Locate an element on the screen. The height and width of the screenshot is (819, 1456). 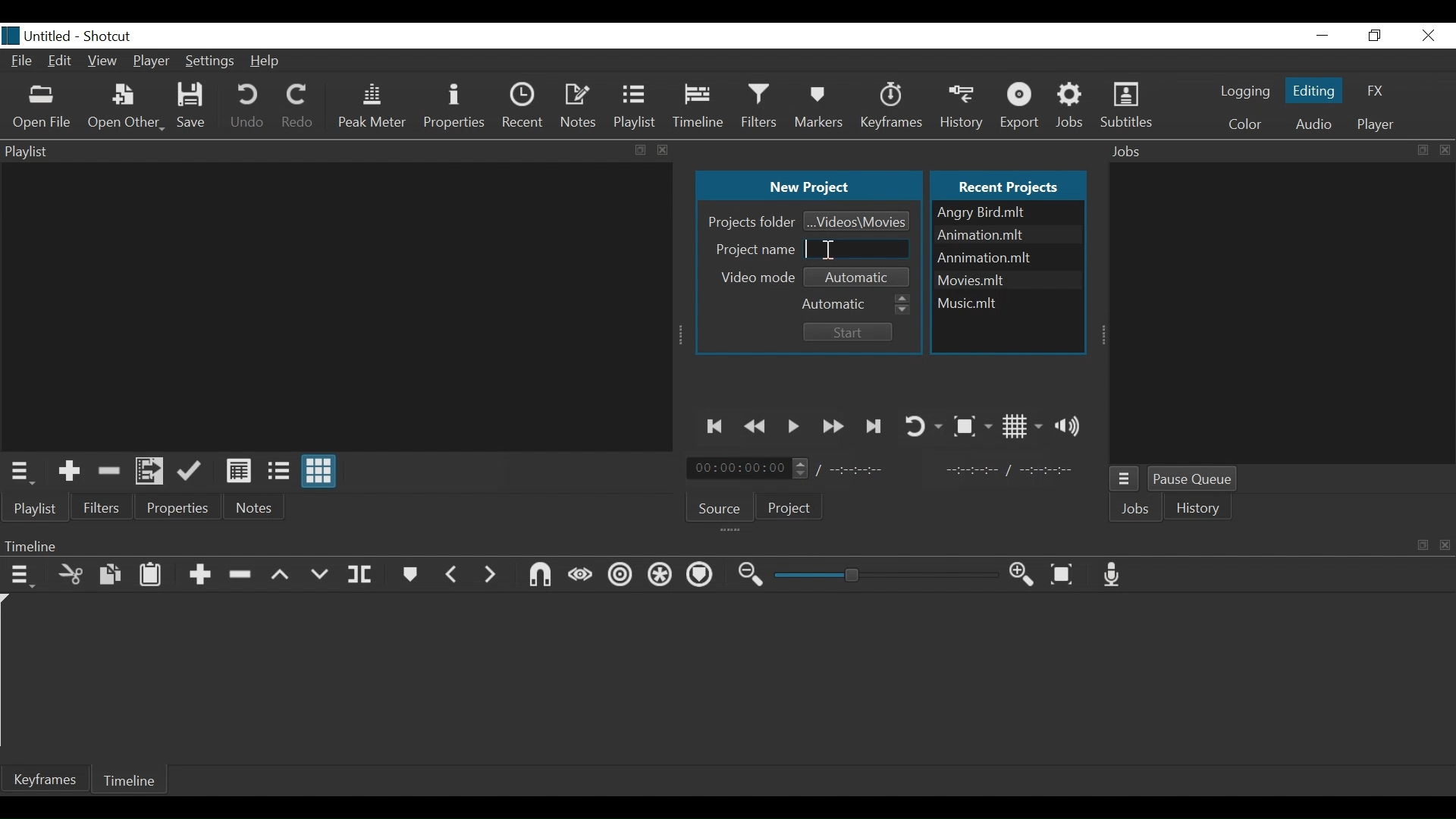
Jobs is located at coordinates (1138, 510).